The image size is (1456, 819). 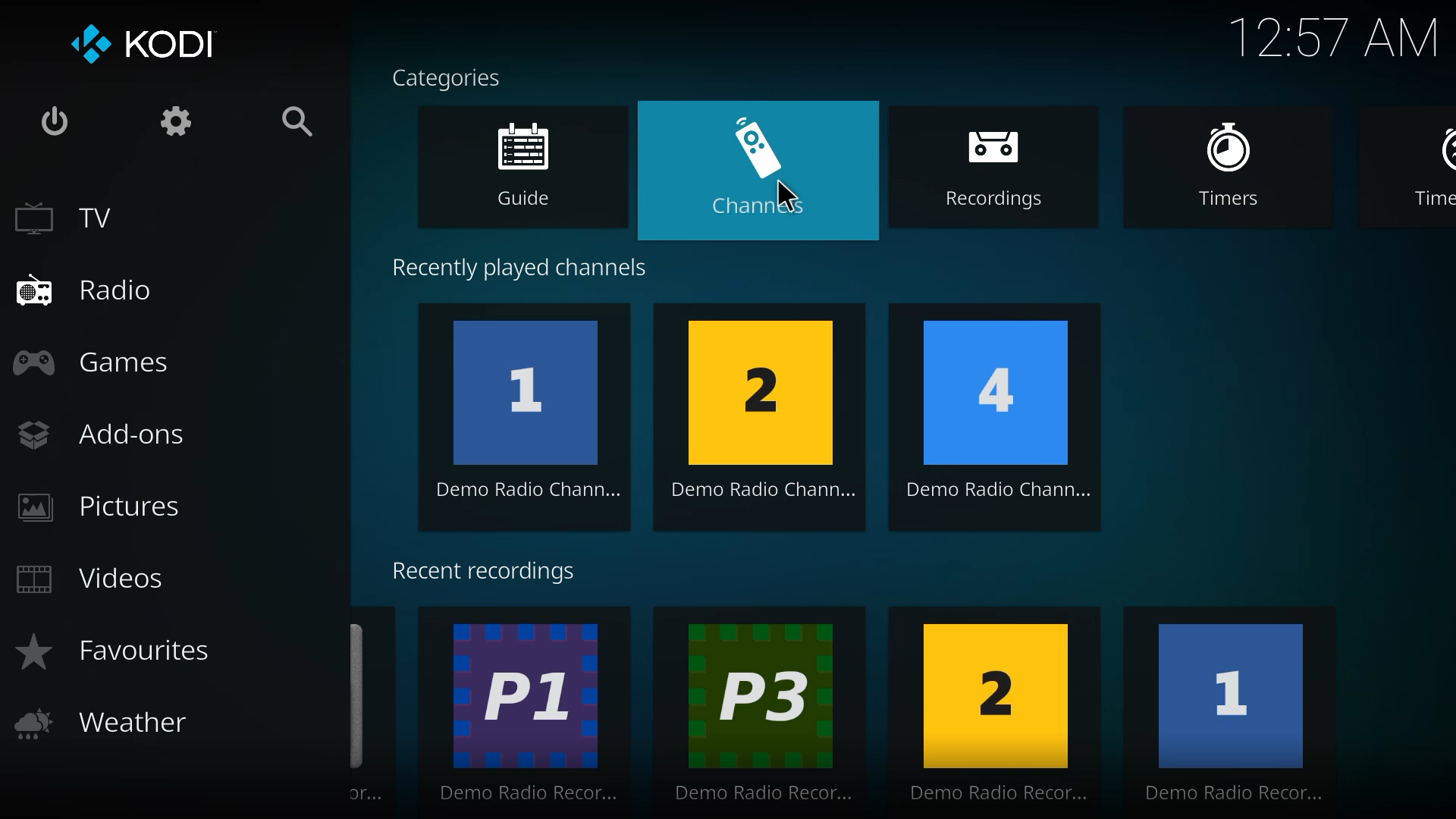 What do you see at coordinates (1003, 419) in the screenshot?
I see `4 Demo Radio Chann...` at bounding box center [1003, 419].